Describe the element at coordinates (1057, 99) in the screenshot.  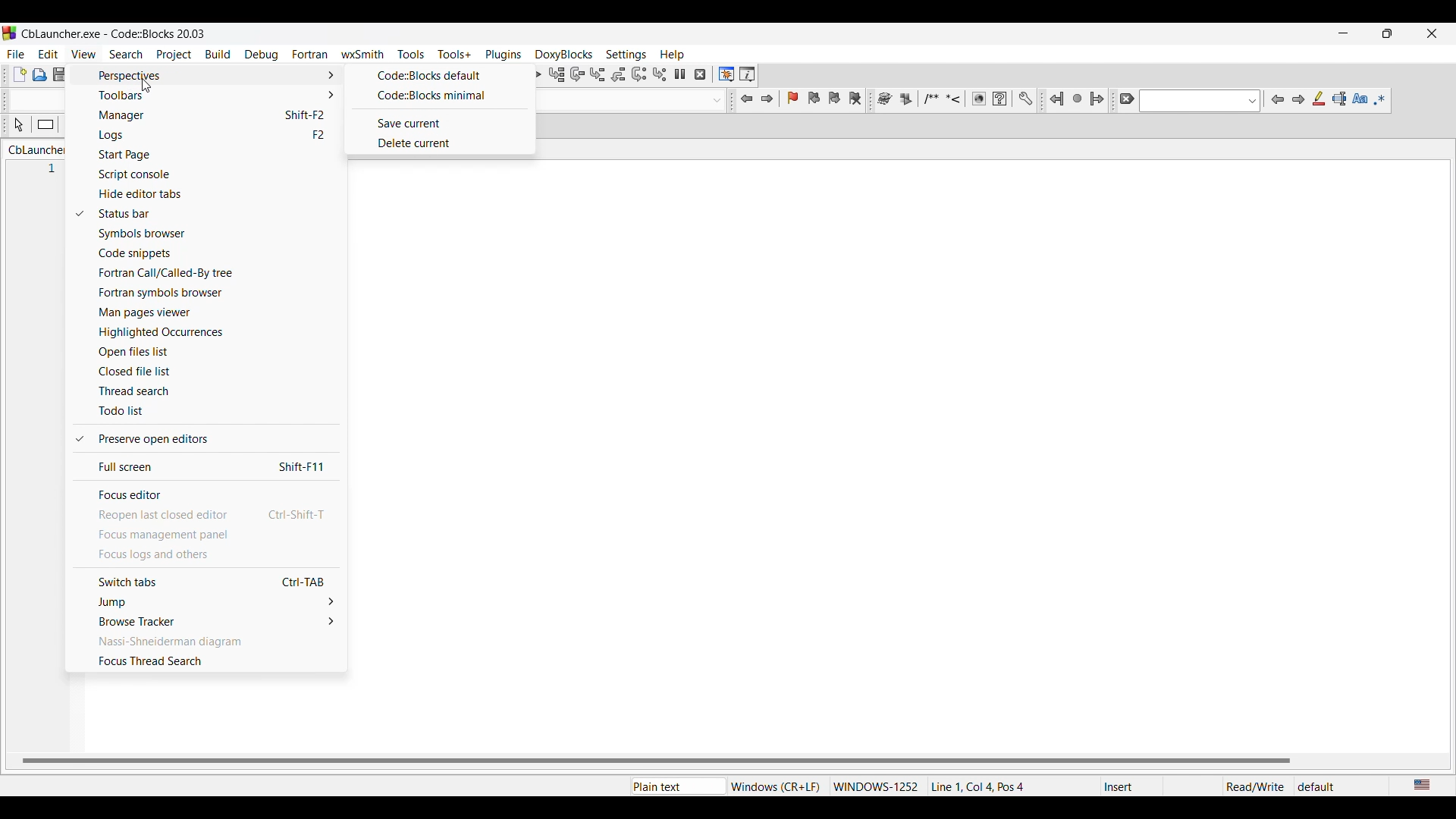
I see `Jump back` at that location.